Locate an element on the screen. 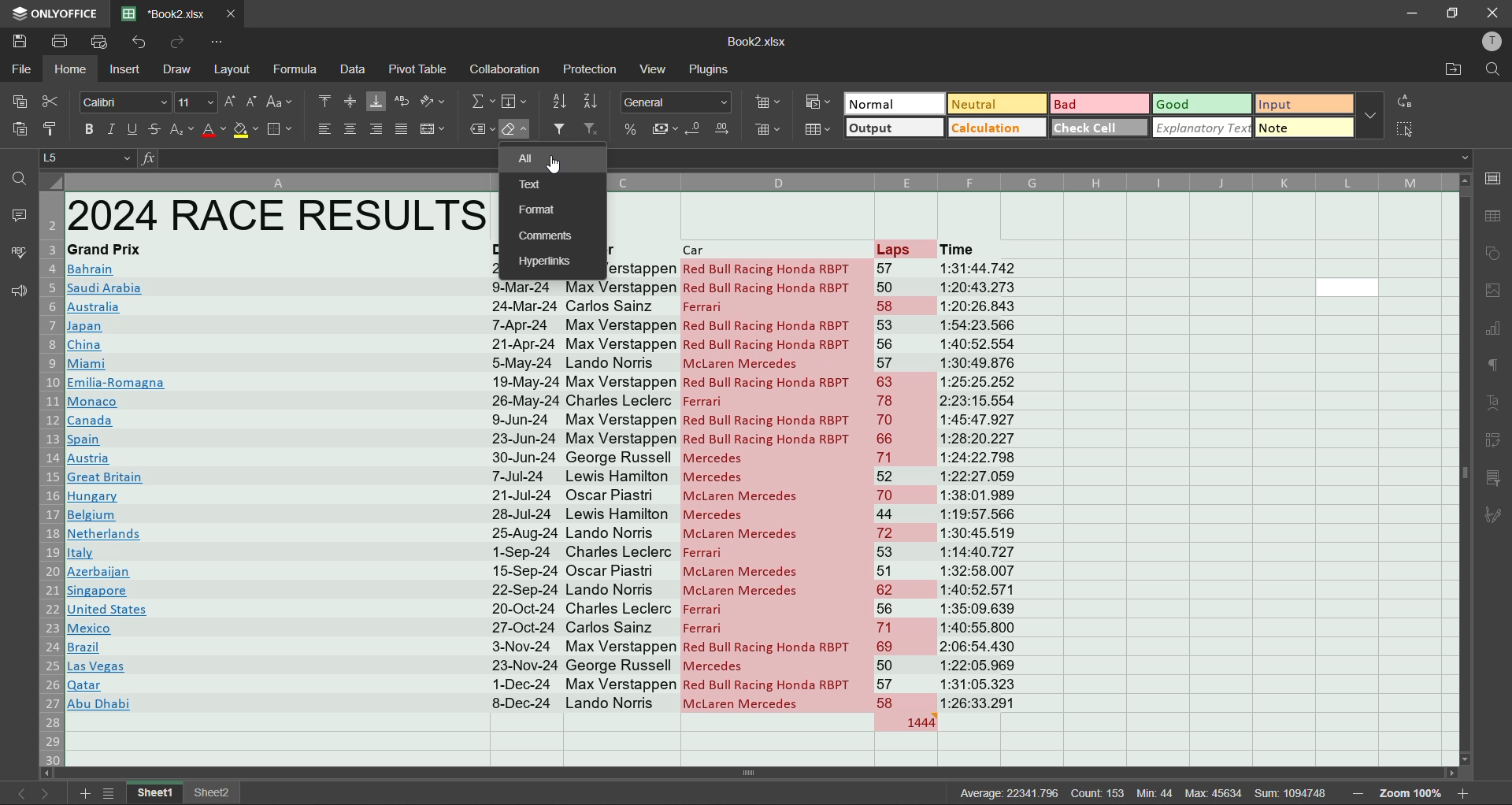 Image resolution: width=1512 pixels, height=805 pixels. font color is located at coordinates (214, 133).